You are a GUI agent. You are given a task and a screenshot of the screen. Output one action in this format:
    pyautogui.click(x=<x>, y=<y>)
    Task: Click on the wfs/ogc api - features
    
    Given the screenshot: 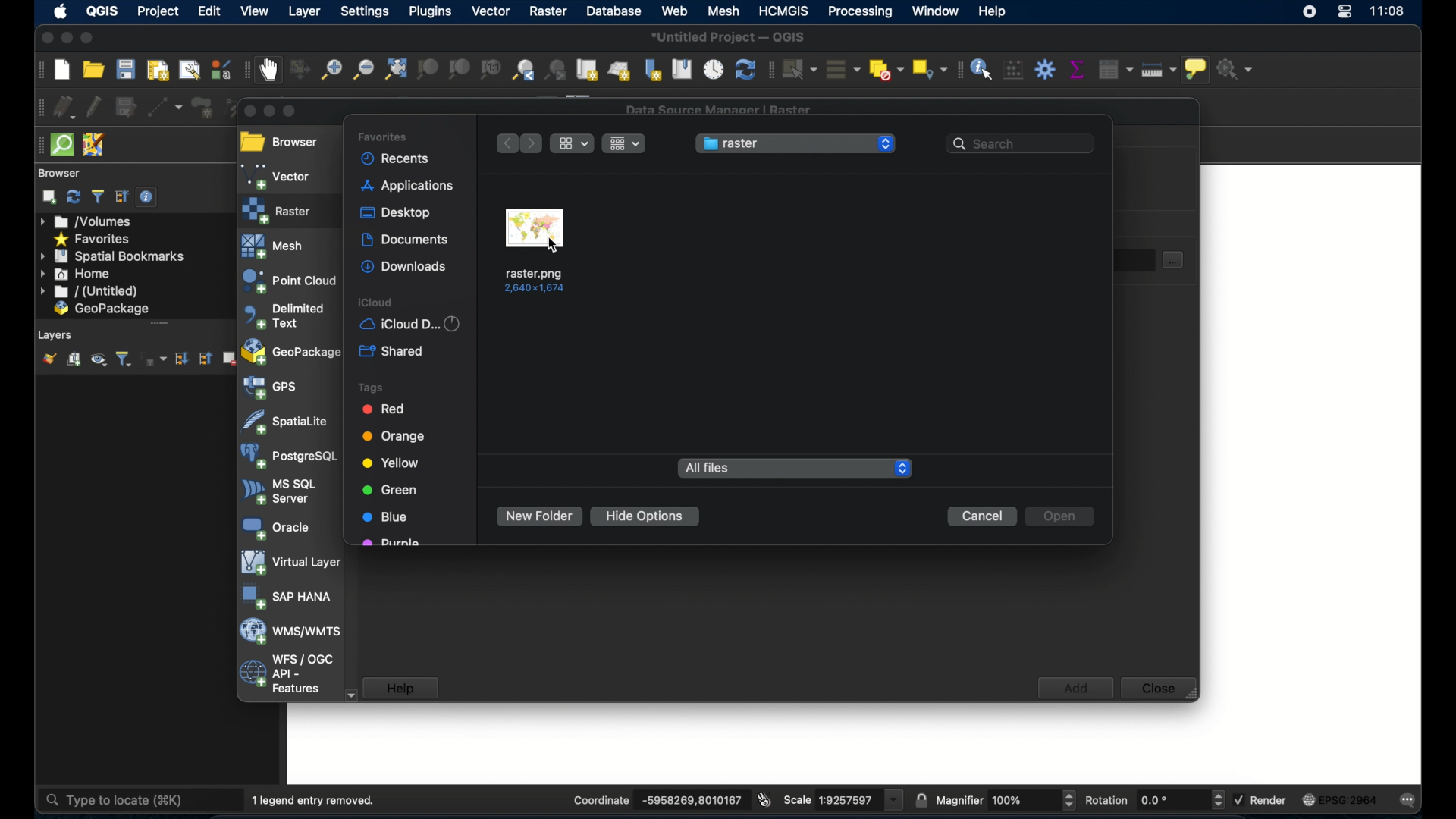 What is the action you would take?
    pyautogui.click(x=286, y=675)
    